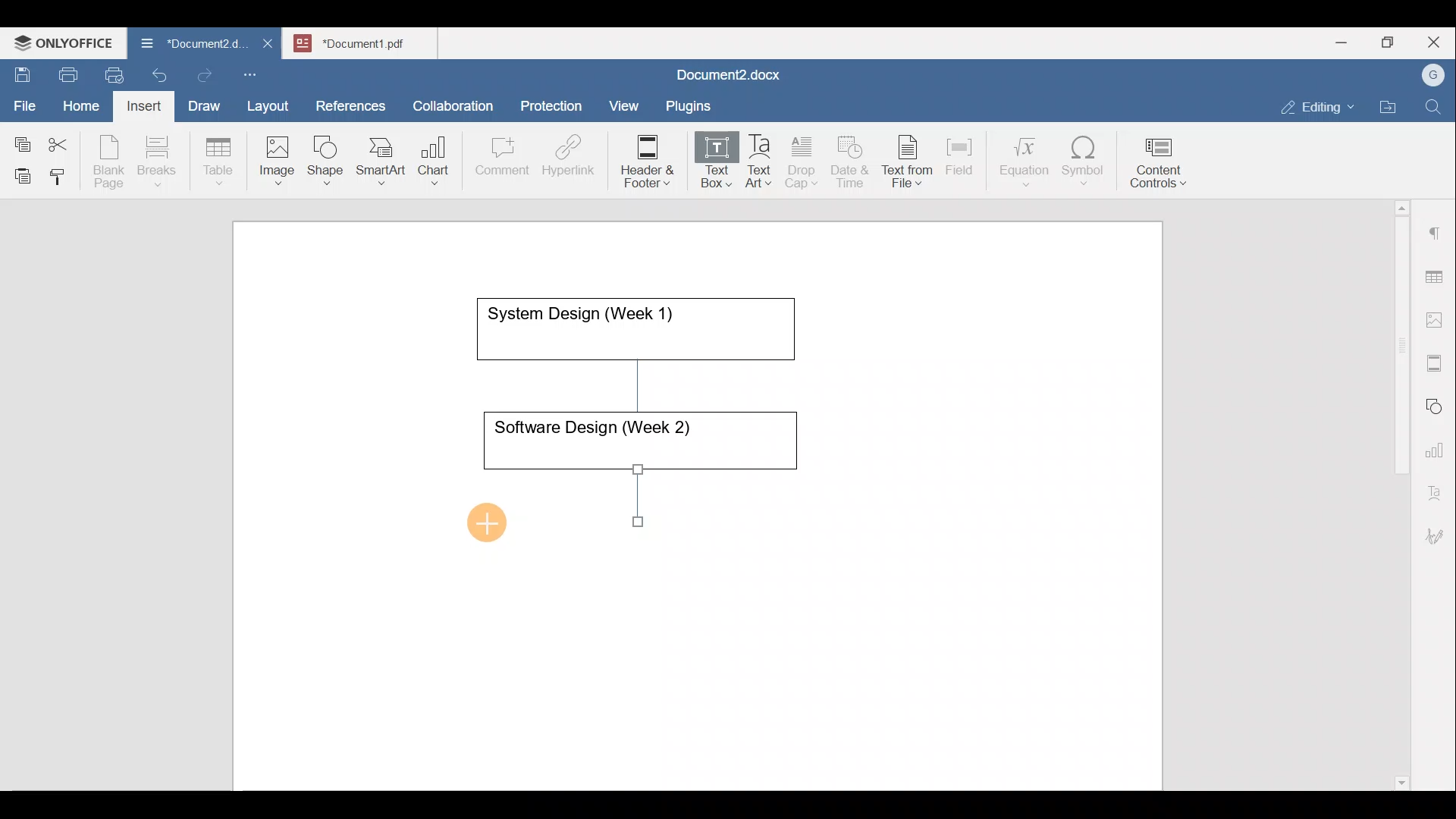  Describe the element at coordinates (1439, 531) in the screenshot. I see `Signature settings` at that location.